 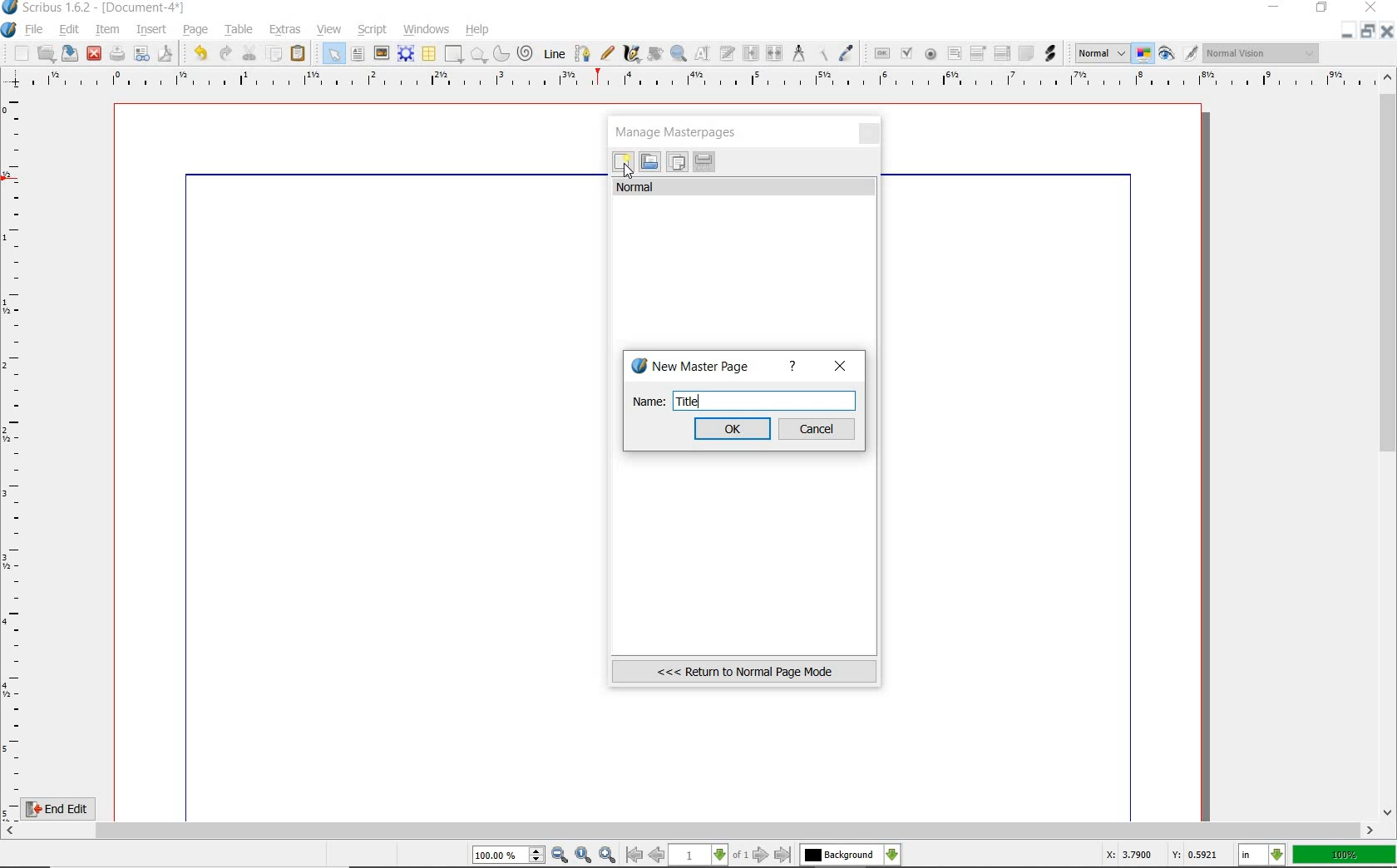 What do you see at coordinates (332, 30) in the screenshot?
I see `view` at bounding box center [332, 30].